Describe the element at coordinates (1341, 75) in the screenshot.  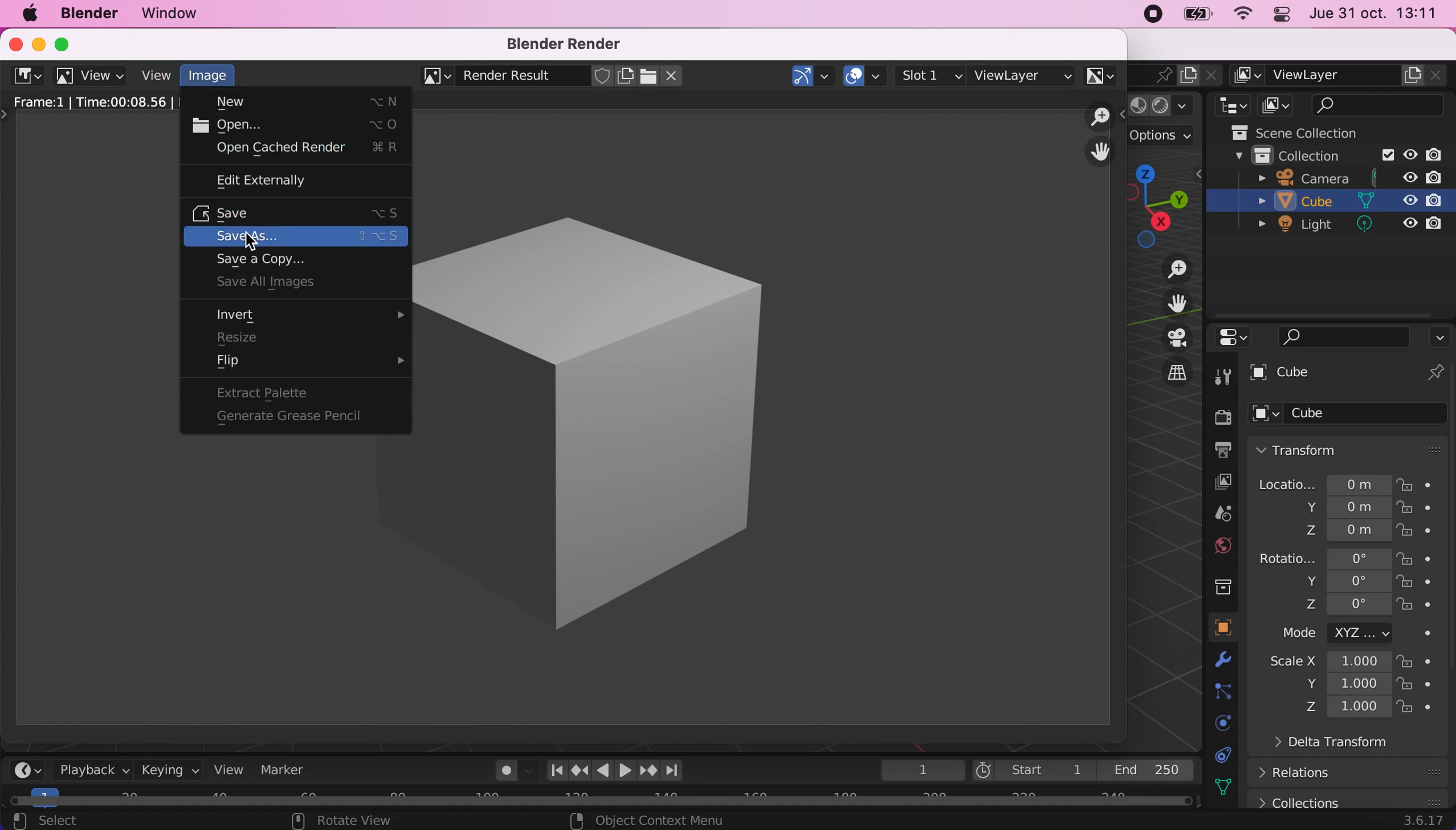
I see `view layer` at that location.